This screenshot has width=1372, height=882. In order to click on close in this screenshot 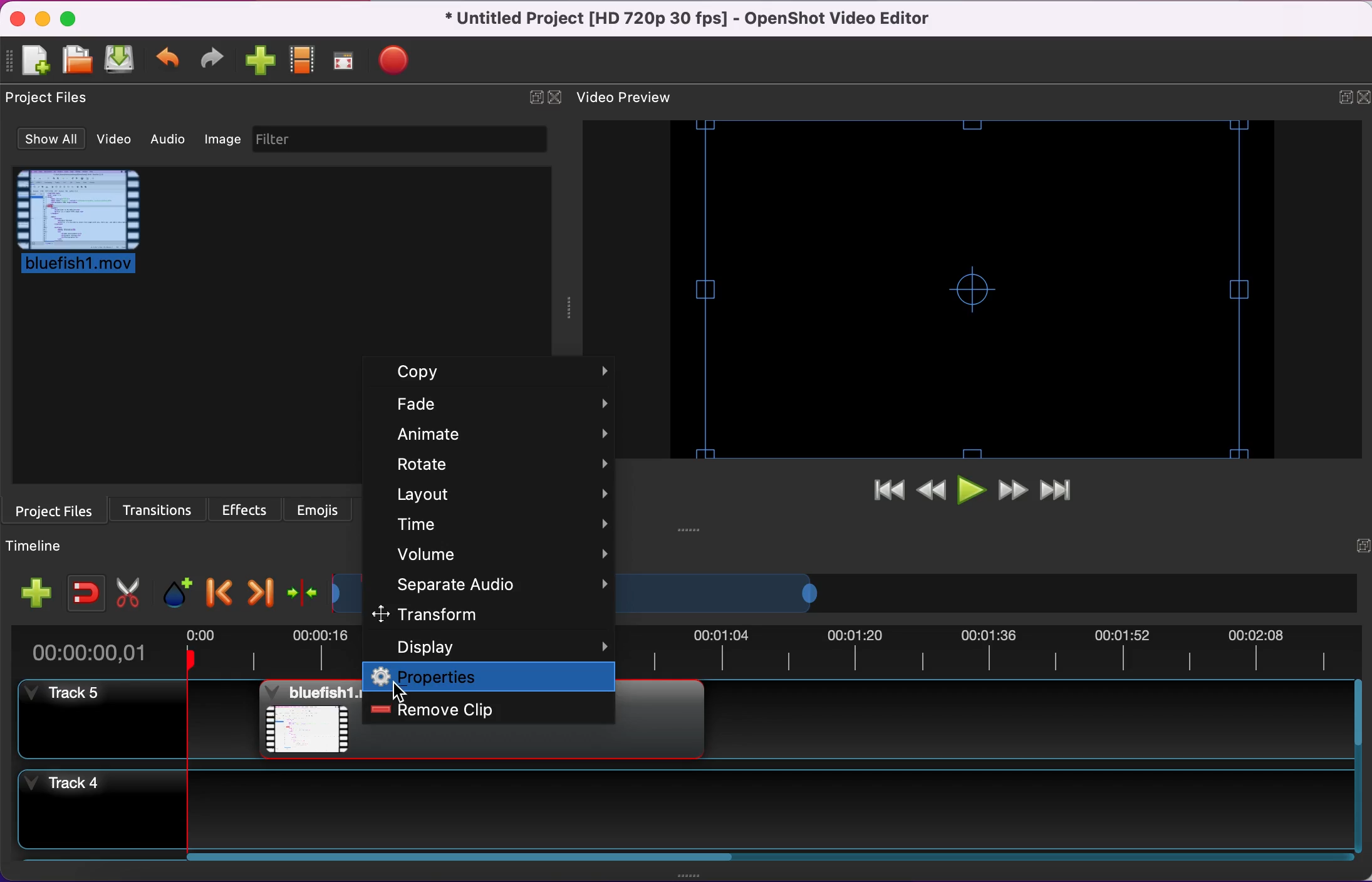, I will do `click(1363, 98)`.